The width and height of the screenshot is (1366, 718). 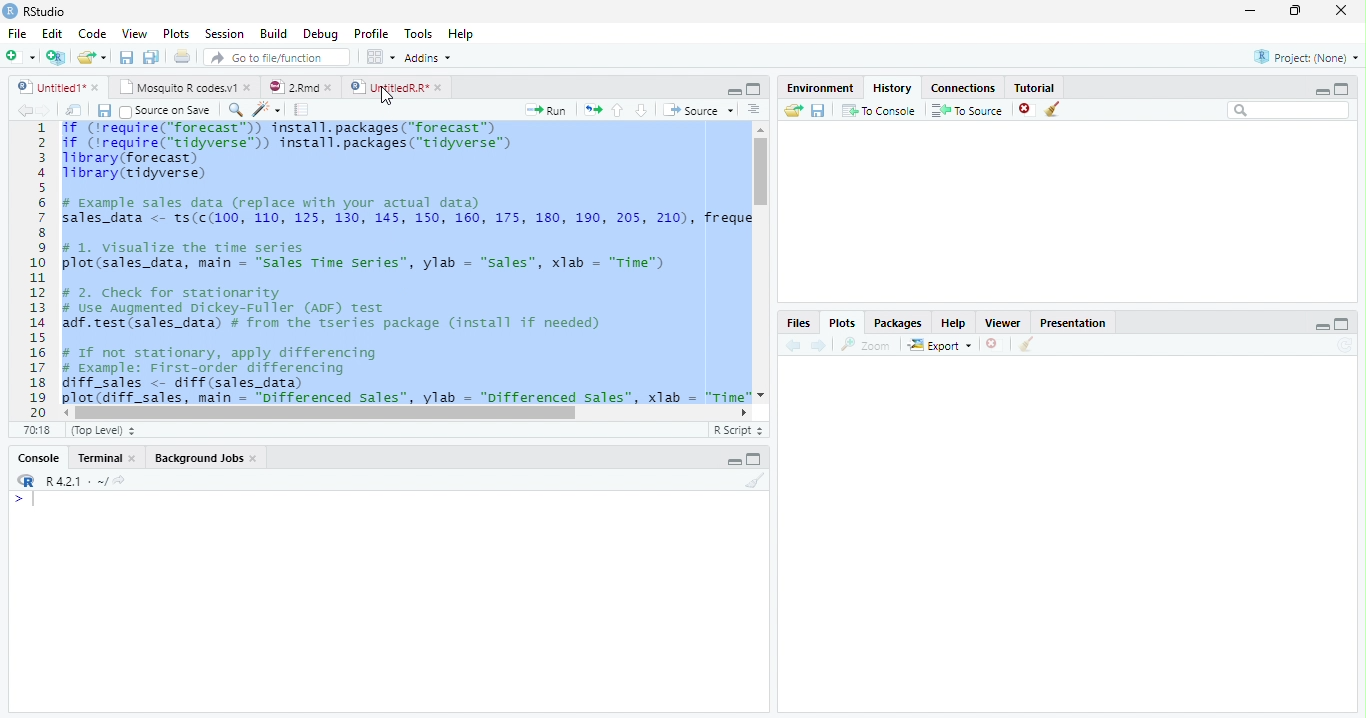 I want to click on To Console, so click(x=880, y=111).